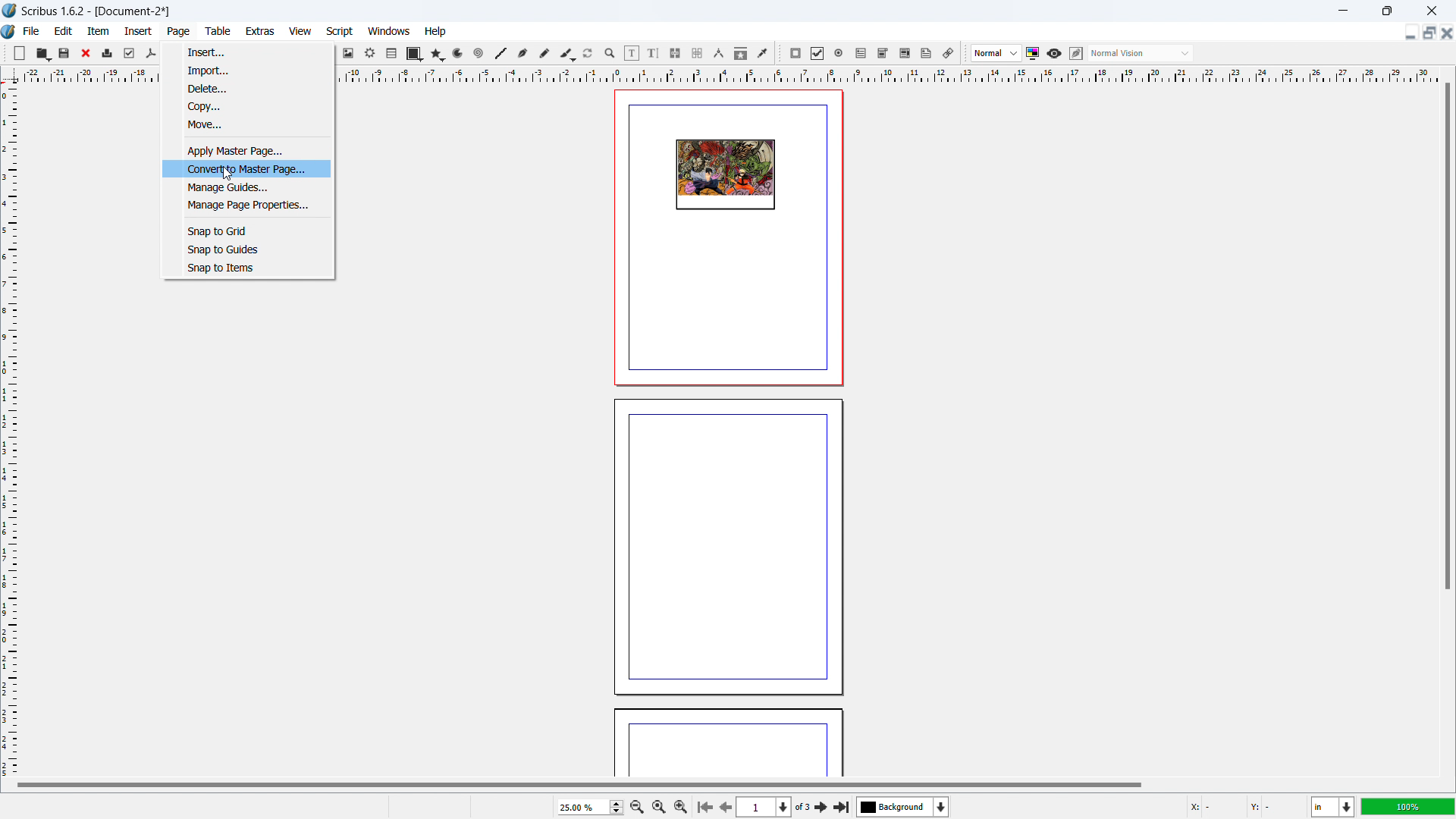 The width and height of the screenshot is (1456, 819). Describe the element at coordinates (30, 31) in the screenshot. I see `file` at that location.